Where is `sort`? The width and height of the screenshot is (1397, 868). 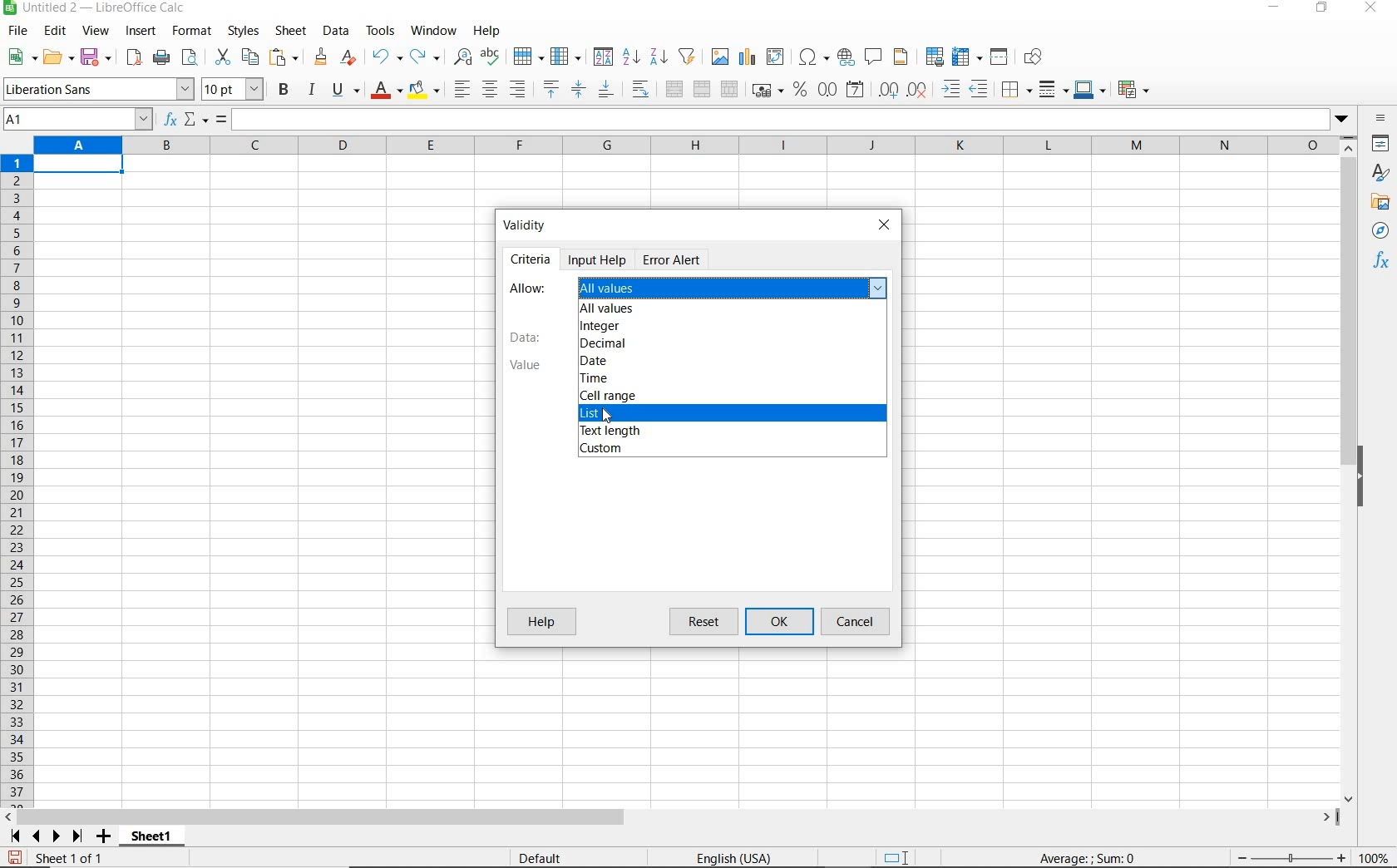 sort is located at coordinates (603, 58).